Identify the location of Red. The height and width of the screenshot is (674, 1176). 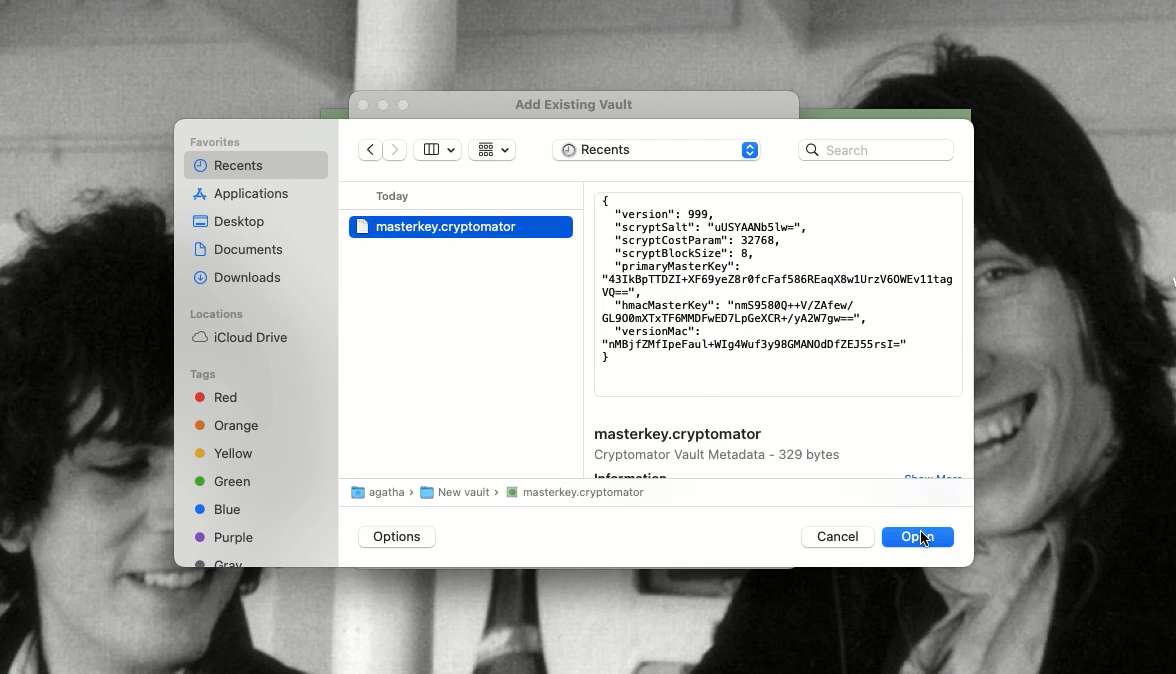
(220, 400).